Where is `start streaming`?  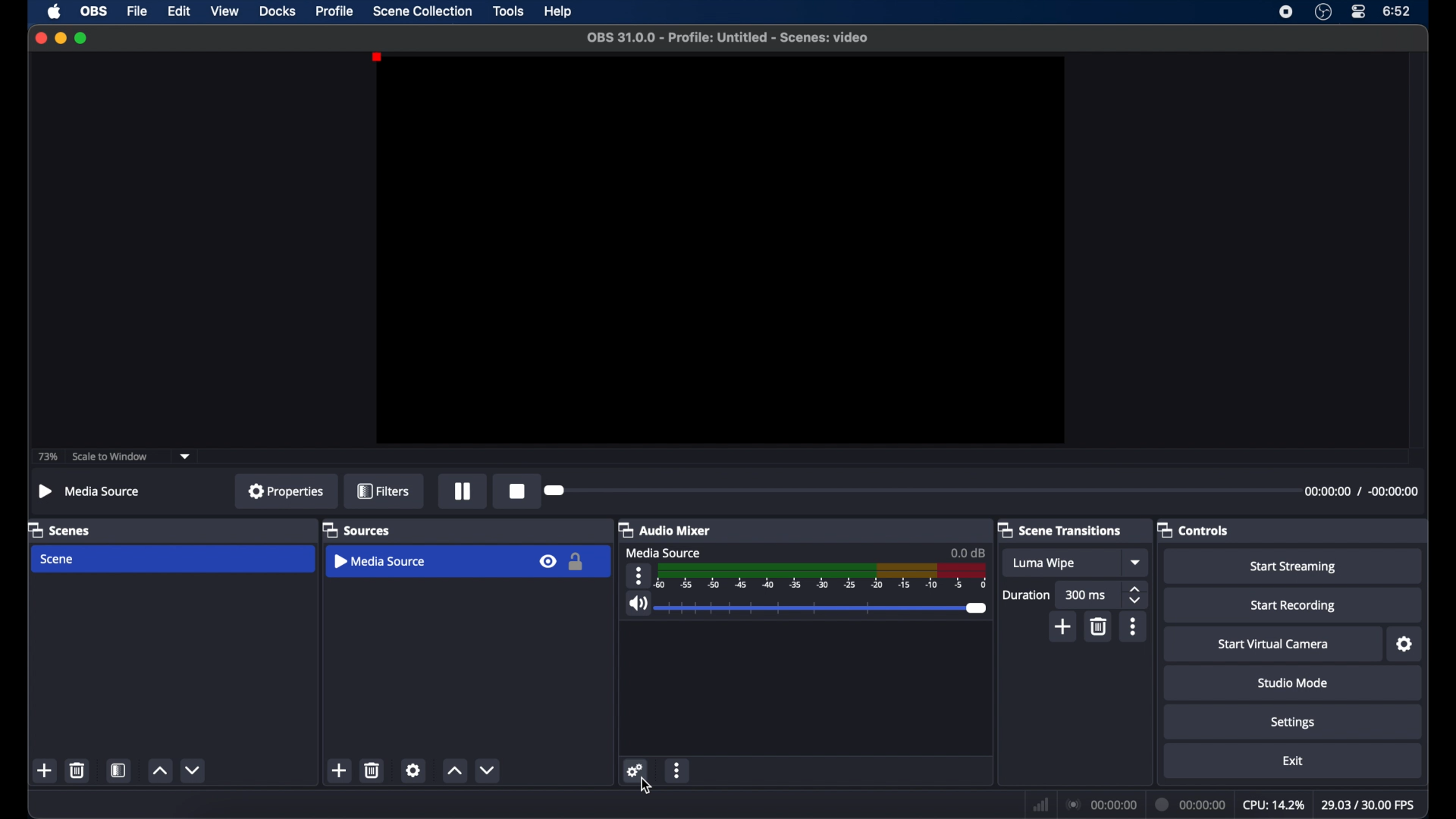
start streaming is located at coordinates (1295, 566).